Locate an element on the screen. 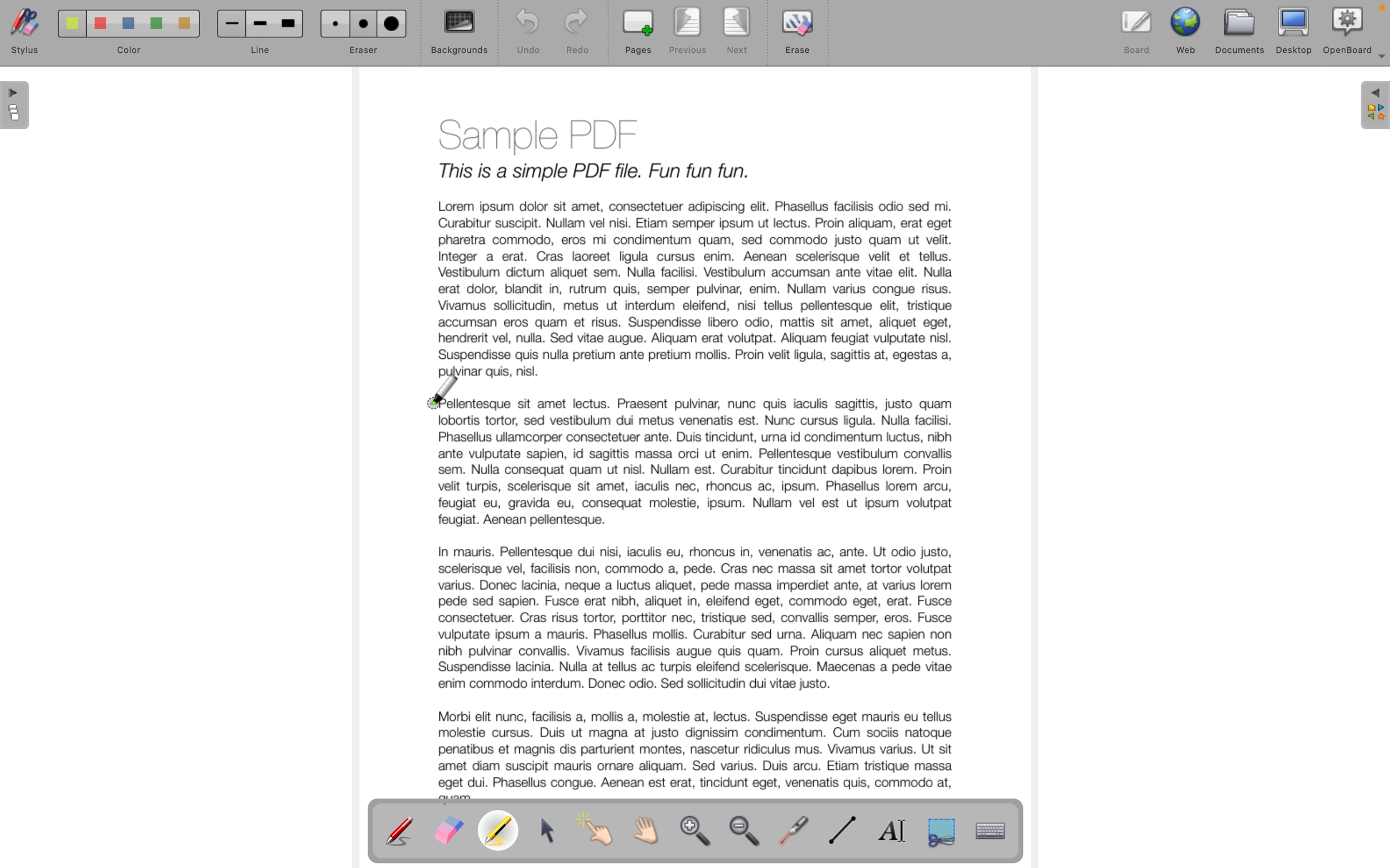 Image resolution: width=1390 pixels, height=868 pixels. interact with items is located at coordinates (601, 835).